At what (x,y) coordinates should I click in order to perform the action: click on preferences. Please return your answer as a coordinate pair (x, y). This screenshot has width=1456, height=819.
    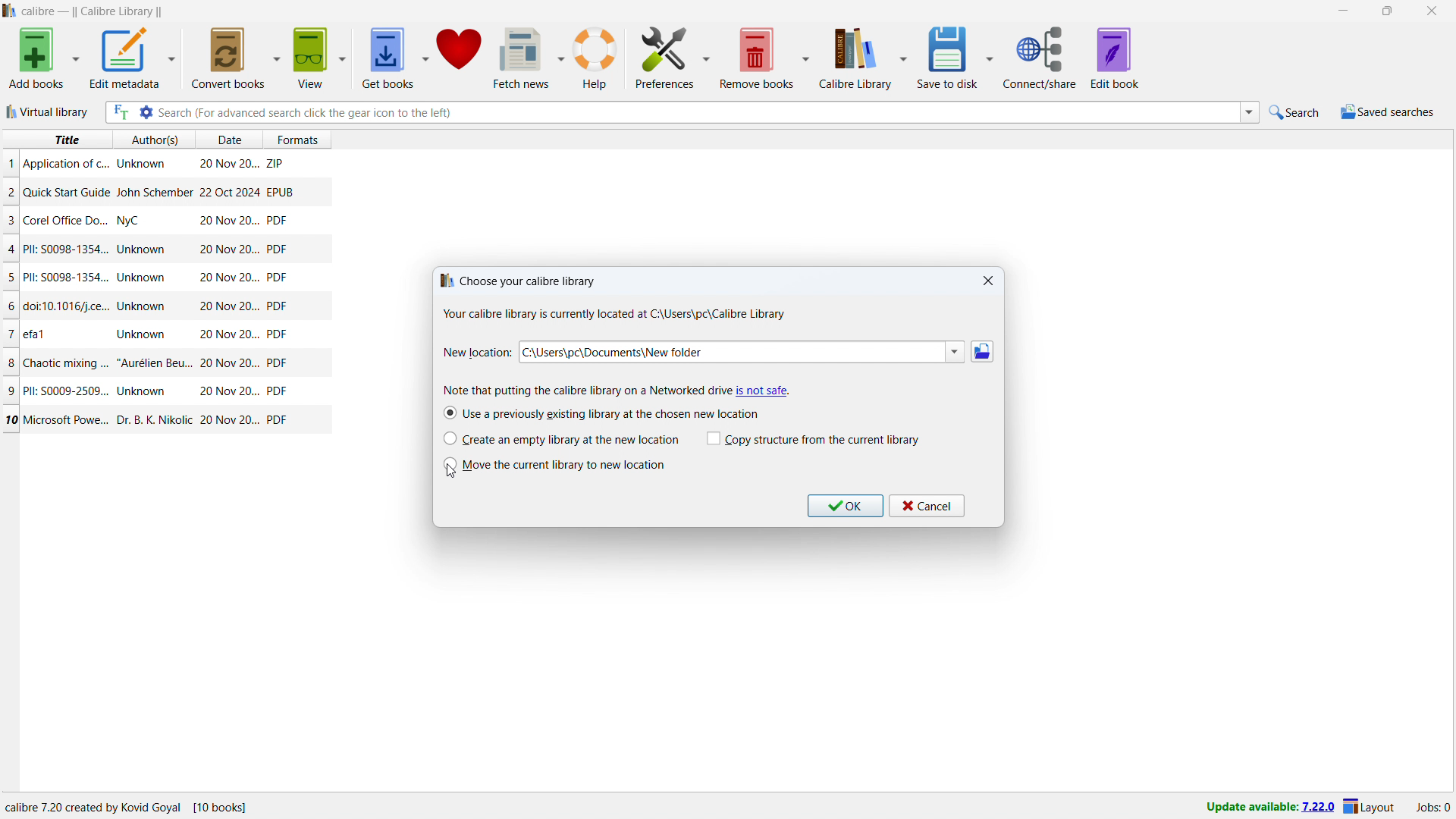
    Looking at the image, I should click on (666, 56).